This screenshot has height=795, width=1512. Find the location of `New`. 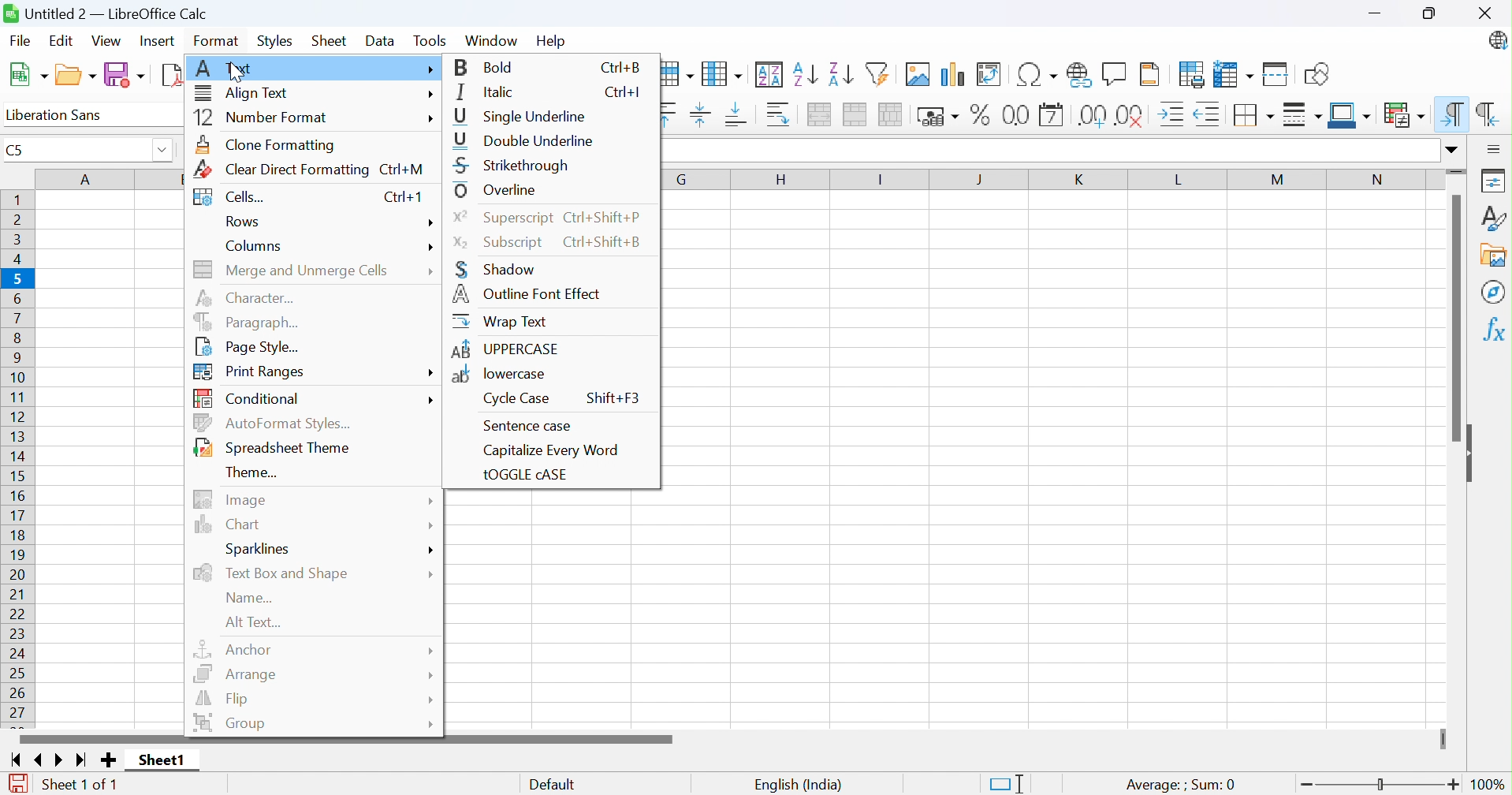

New is located at coordinates (79, 76).